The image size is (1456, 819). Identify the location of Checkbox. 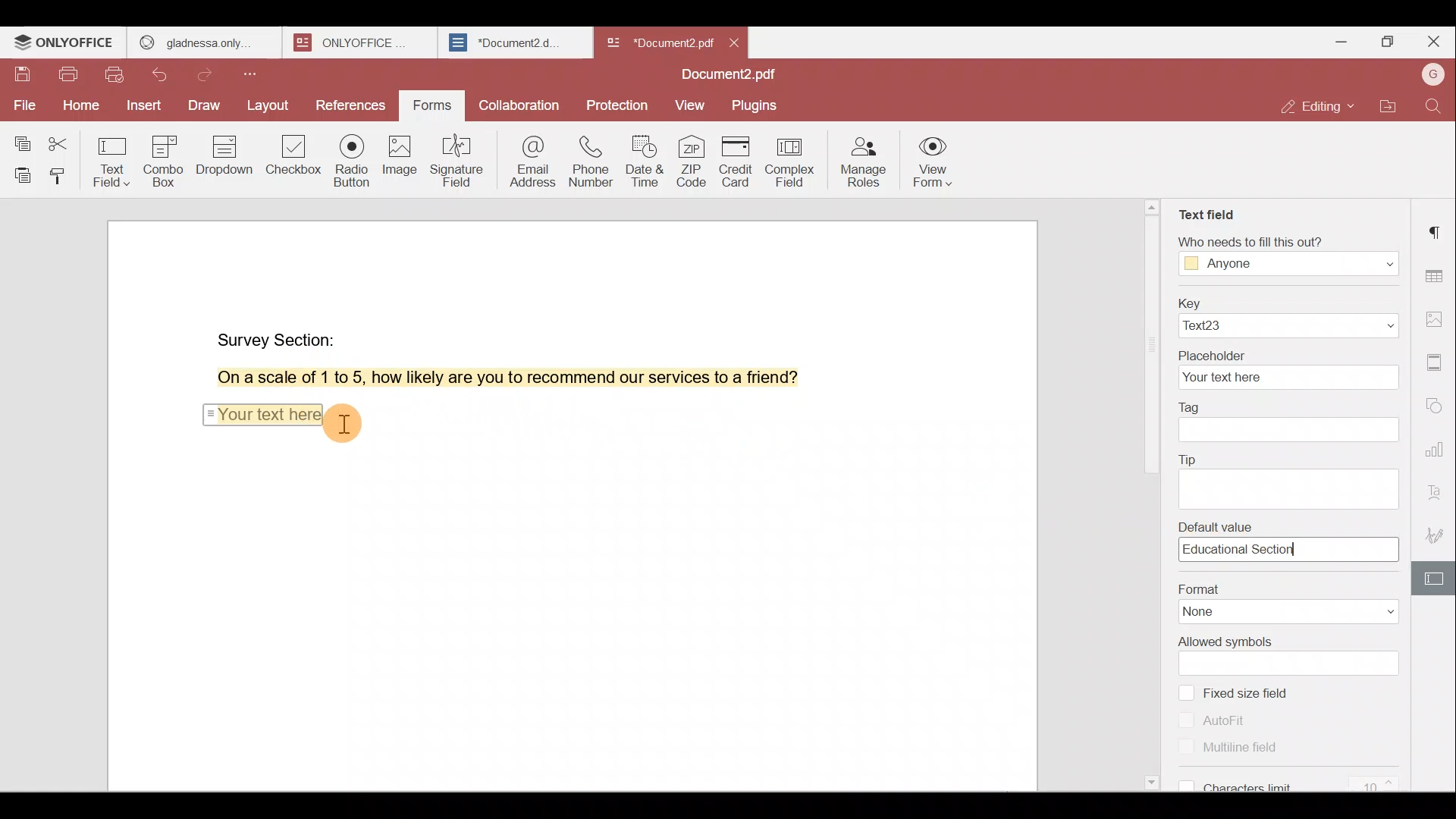
(295, 160).